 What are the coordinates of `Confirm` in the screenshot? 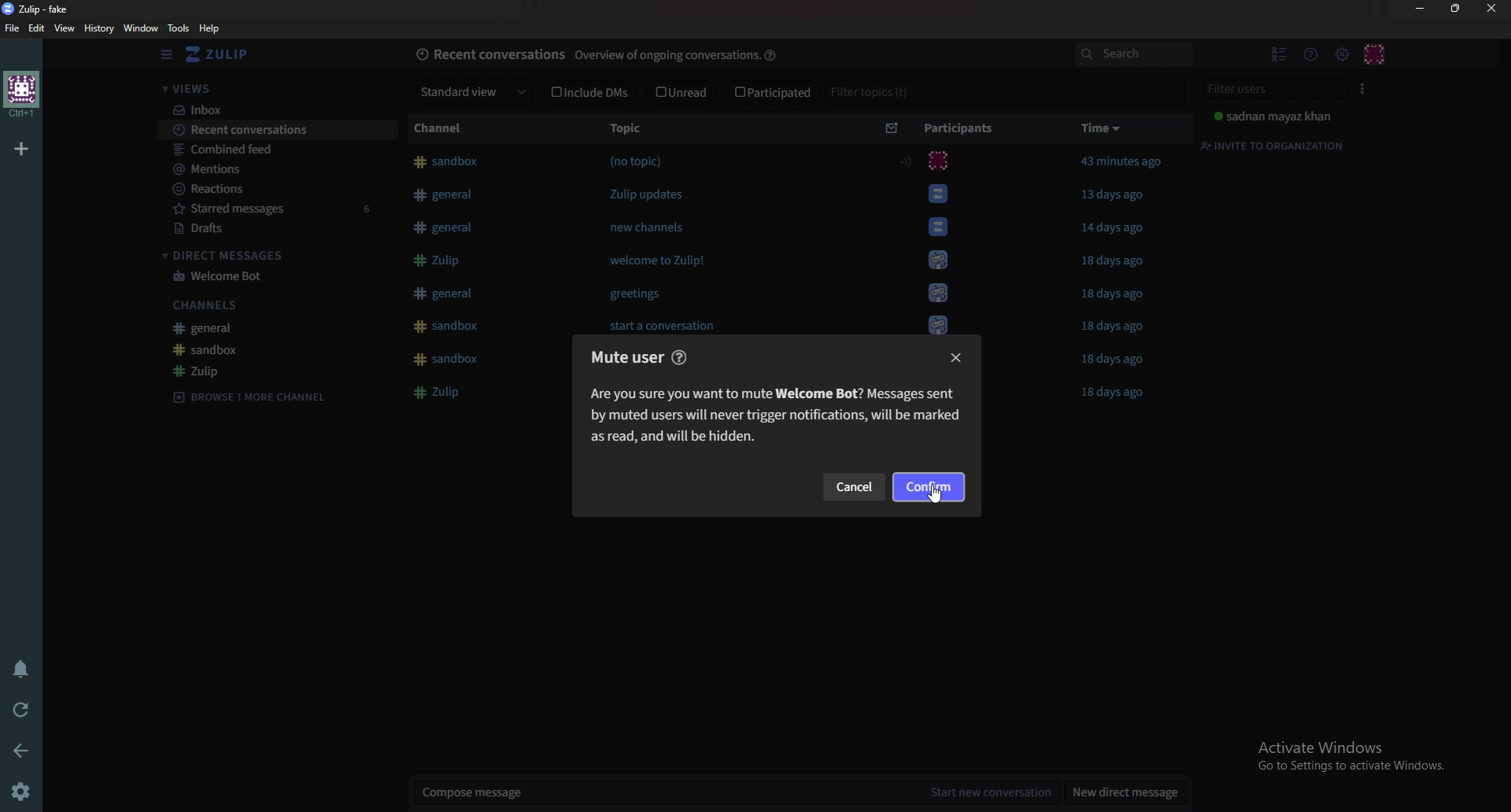 It's located at (927, 486).